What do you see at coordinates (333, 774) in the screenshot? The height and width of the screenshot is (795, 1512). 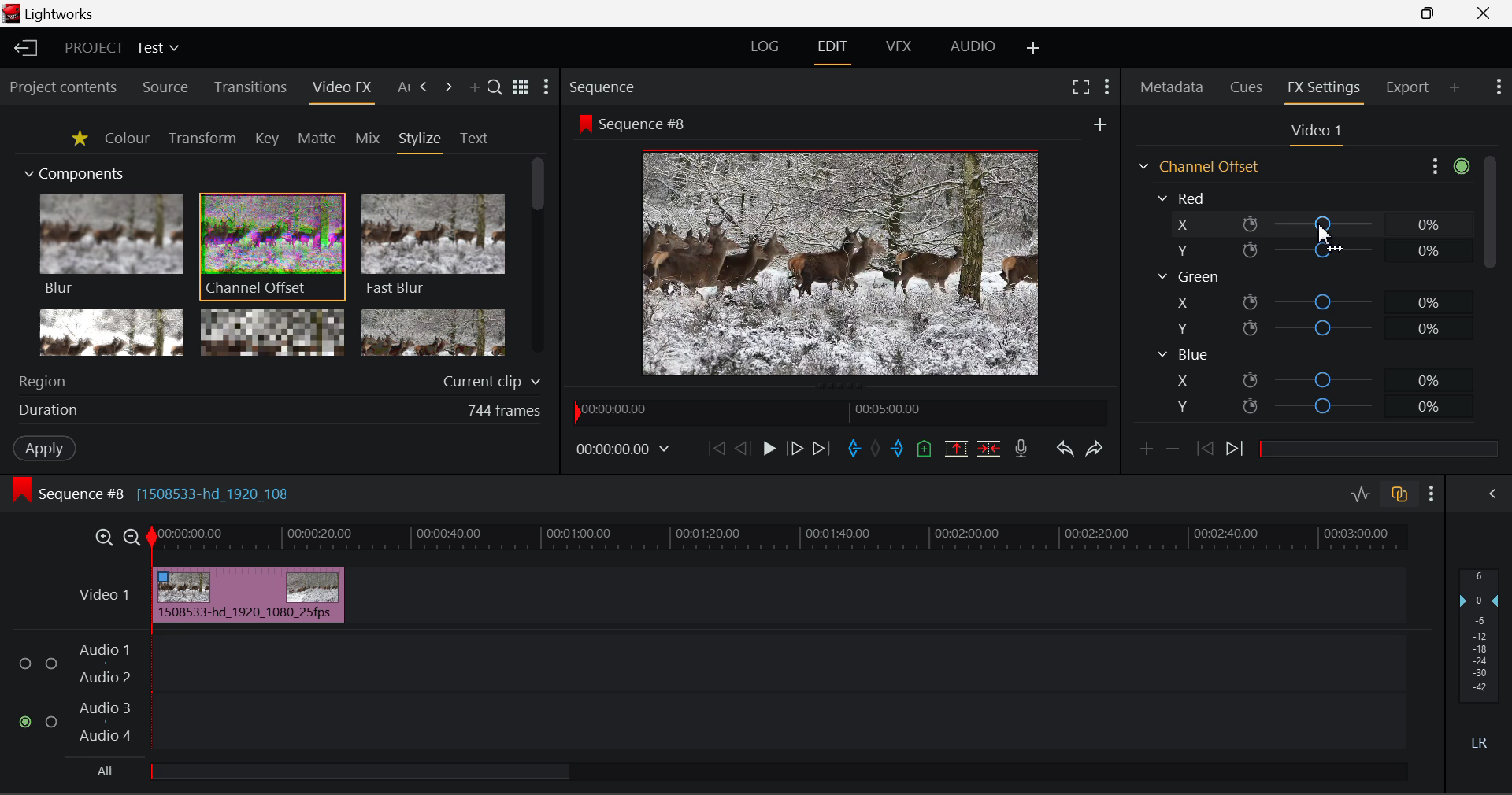 I see `all` at bounding box center [333, 774].